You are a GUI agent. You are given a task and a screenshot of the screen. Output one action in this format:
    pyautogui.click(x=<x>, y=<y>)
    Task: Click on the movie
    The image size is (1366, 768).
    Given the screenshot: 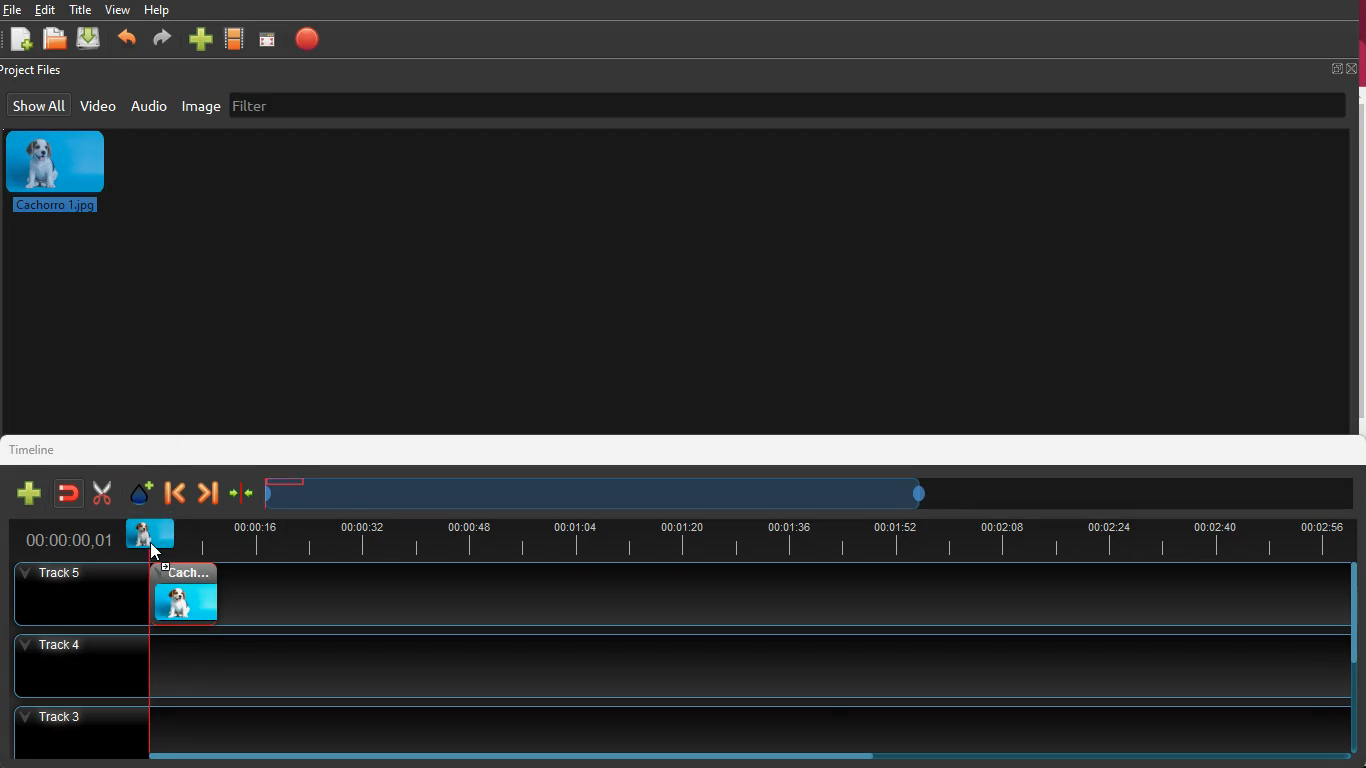 What is the action you would take?
    pyautogui.click(x=235, y=38)
    